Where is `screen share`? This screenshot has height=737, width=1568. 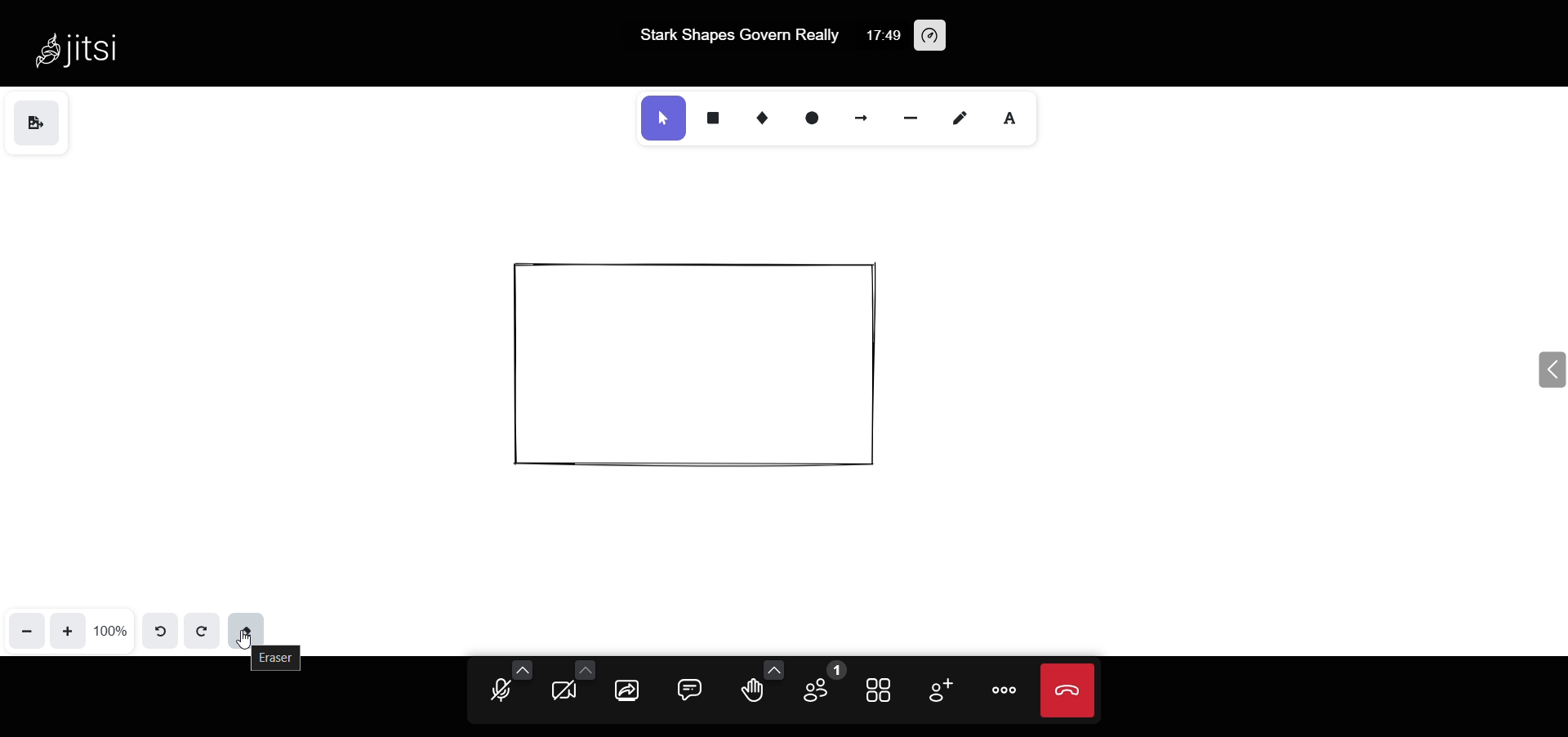 screen share is located at coordinates (626, 690).